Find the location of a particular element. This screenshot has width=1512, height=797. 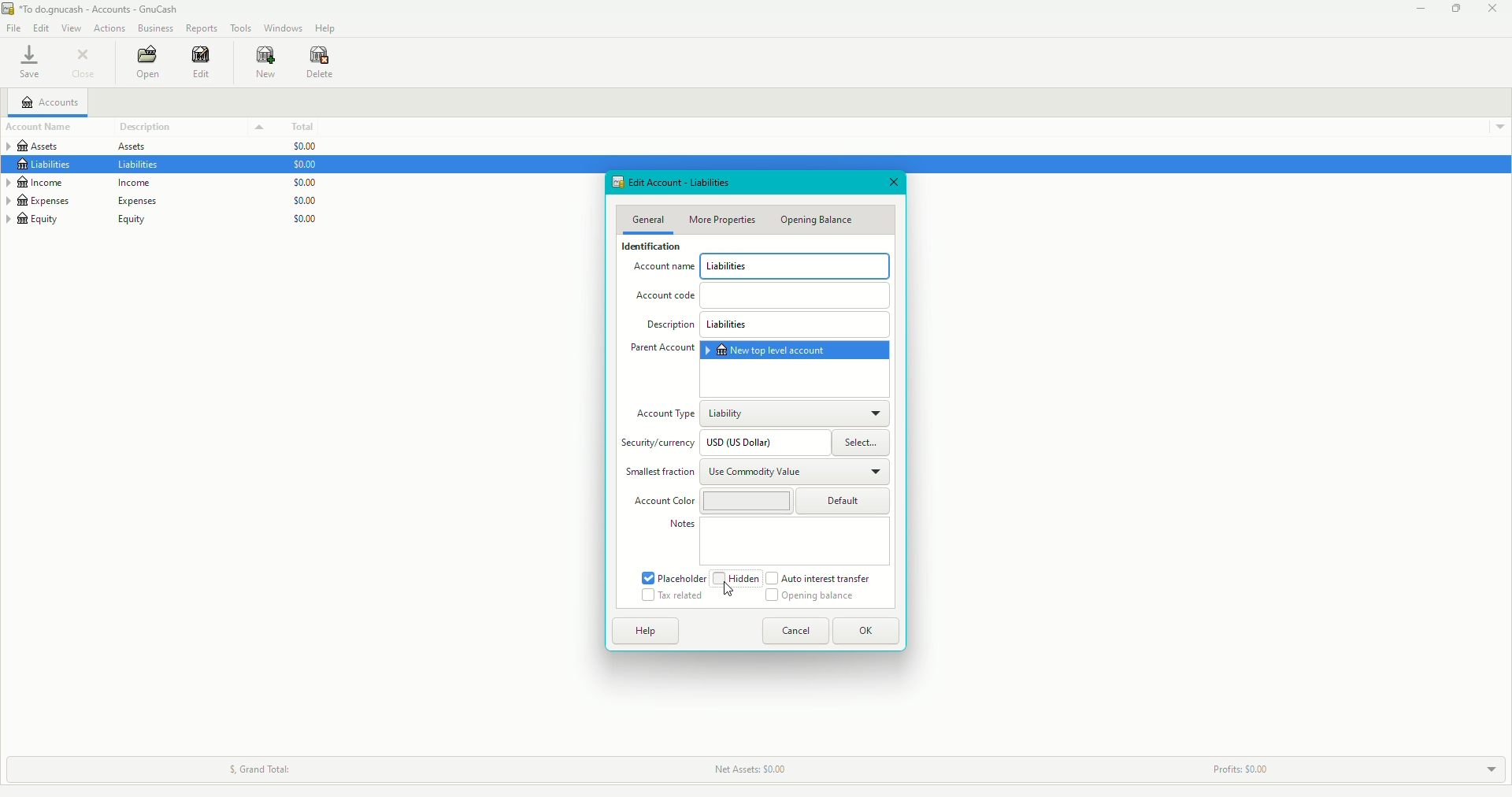

New is located at coordinates (263, 64).